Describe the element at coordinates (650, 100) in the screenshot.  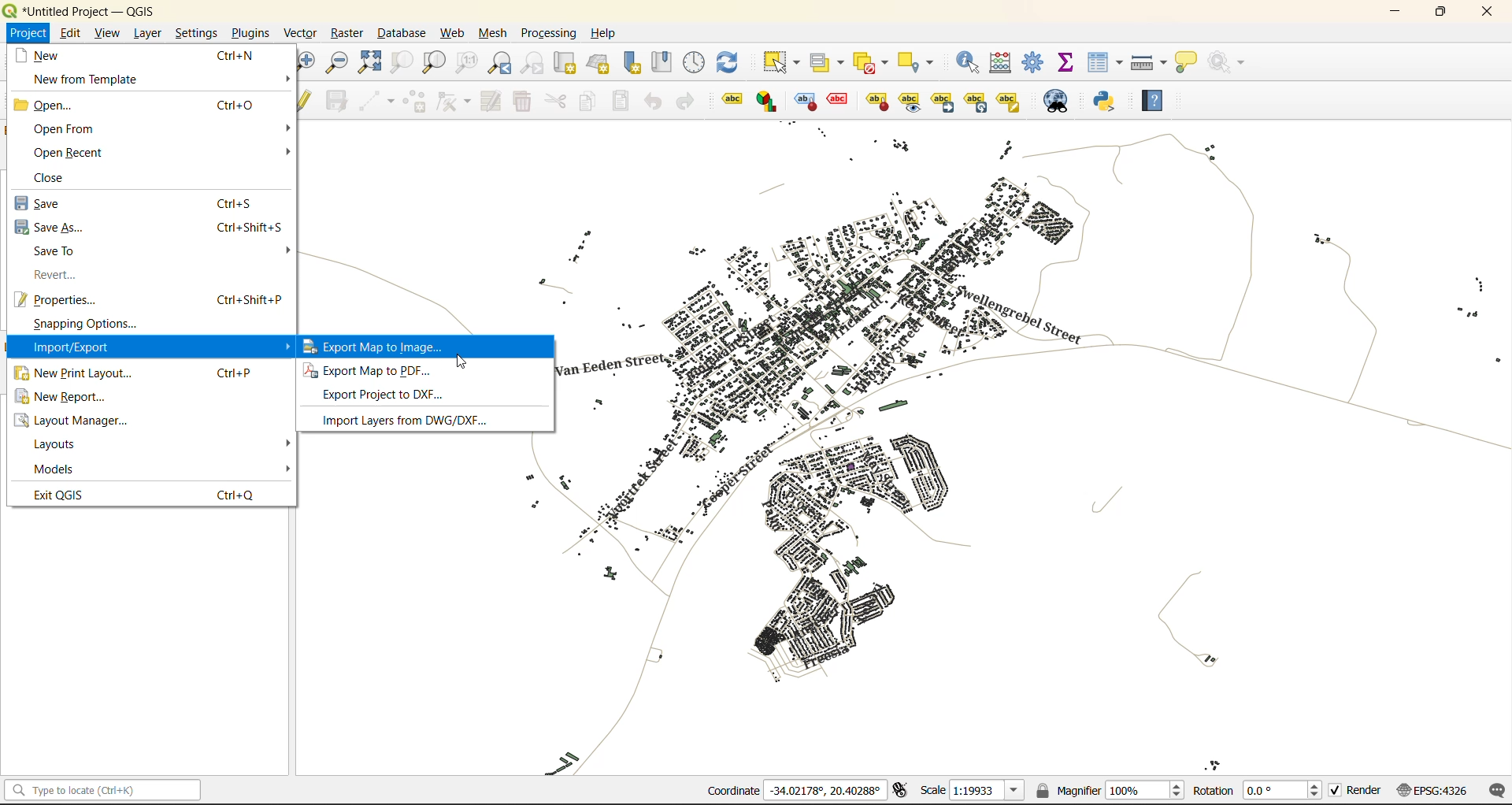
I see `undo` at that location.